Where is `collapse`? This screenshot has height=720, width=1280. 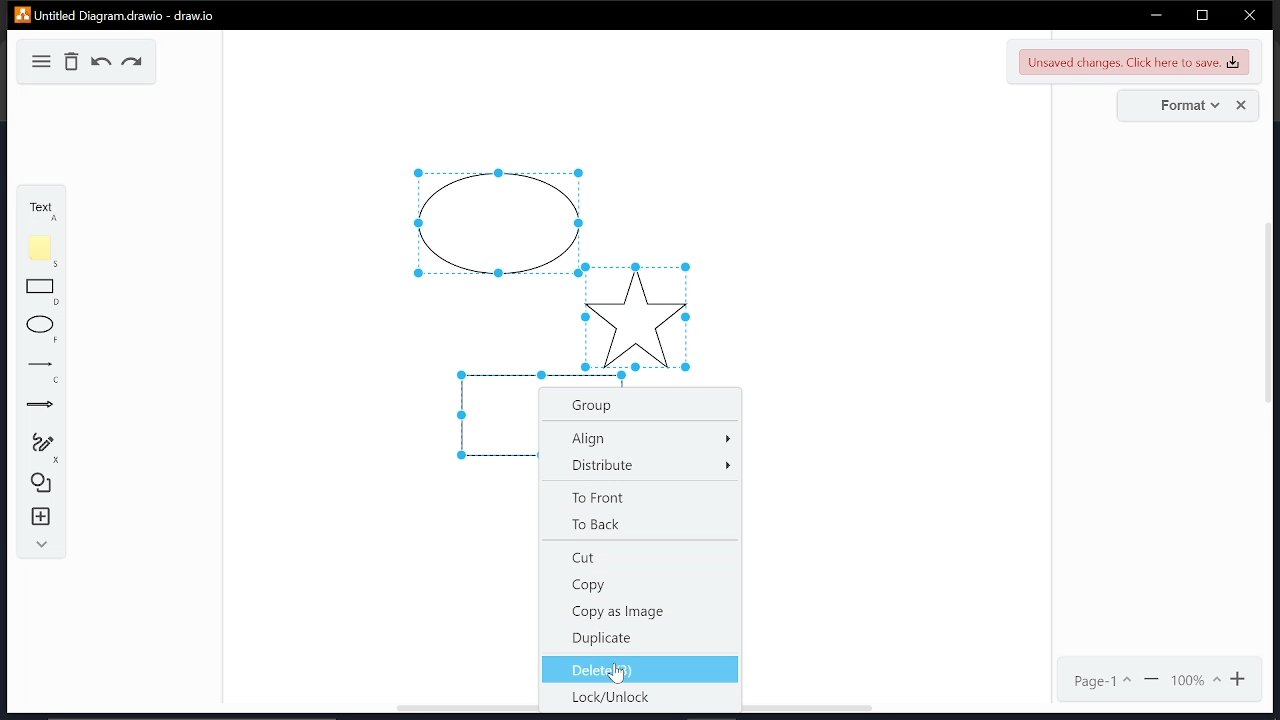
collapse is located at coordinates (39, 545).